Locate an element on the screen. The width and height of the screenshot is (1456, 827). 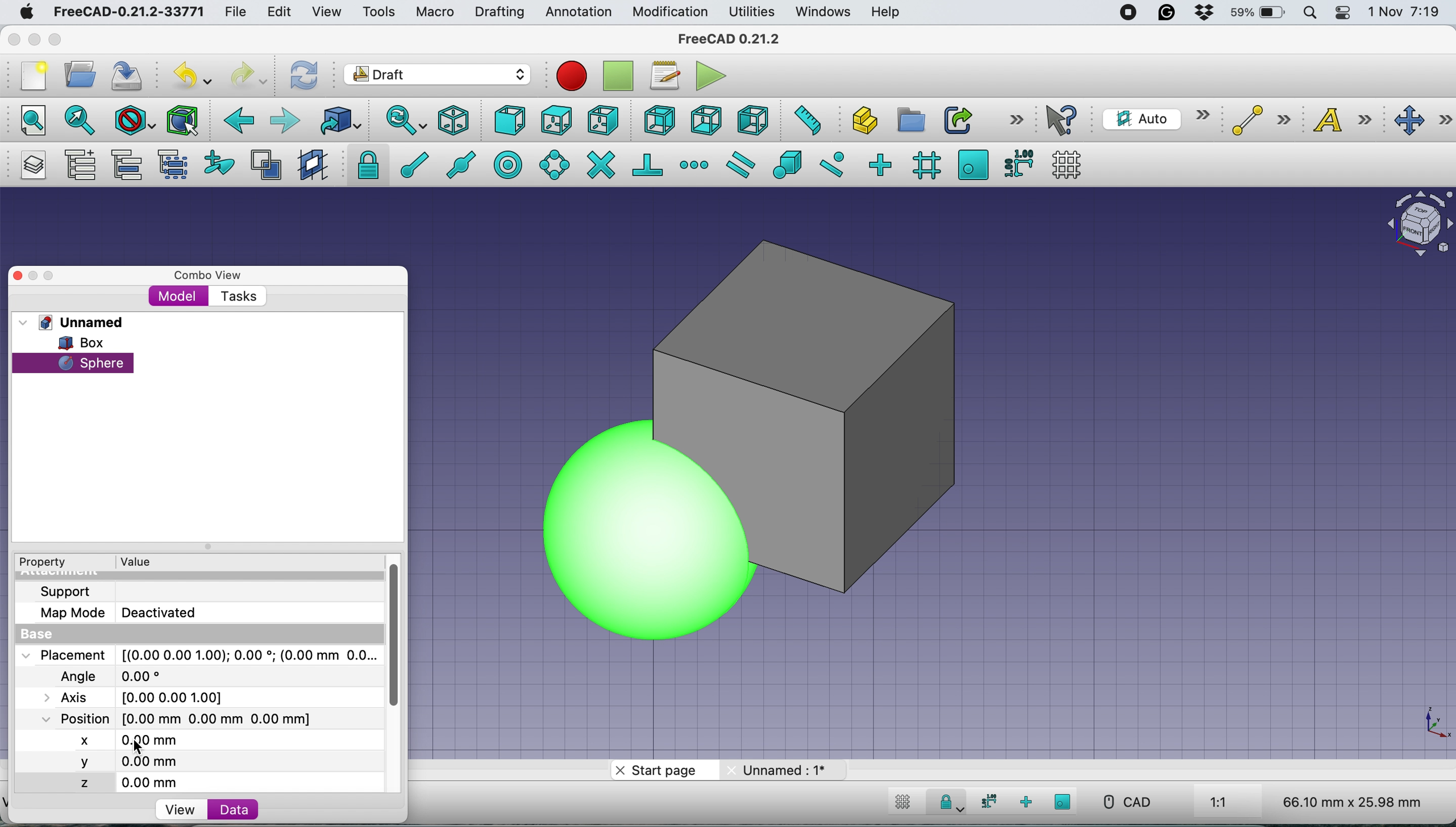
front is located at coordinates (511, 123).